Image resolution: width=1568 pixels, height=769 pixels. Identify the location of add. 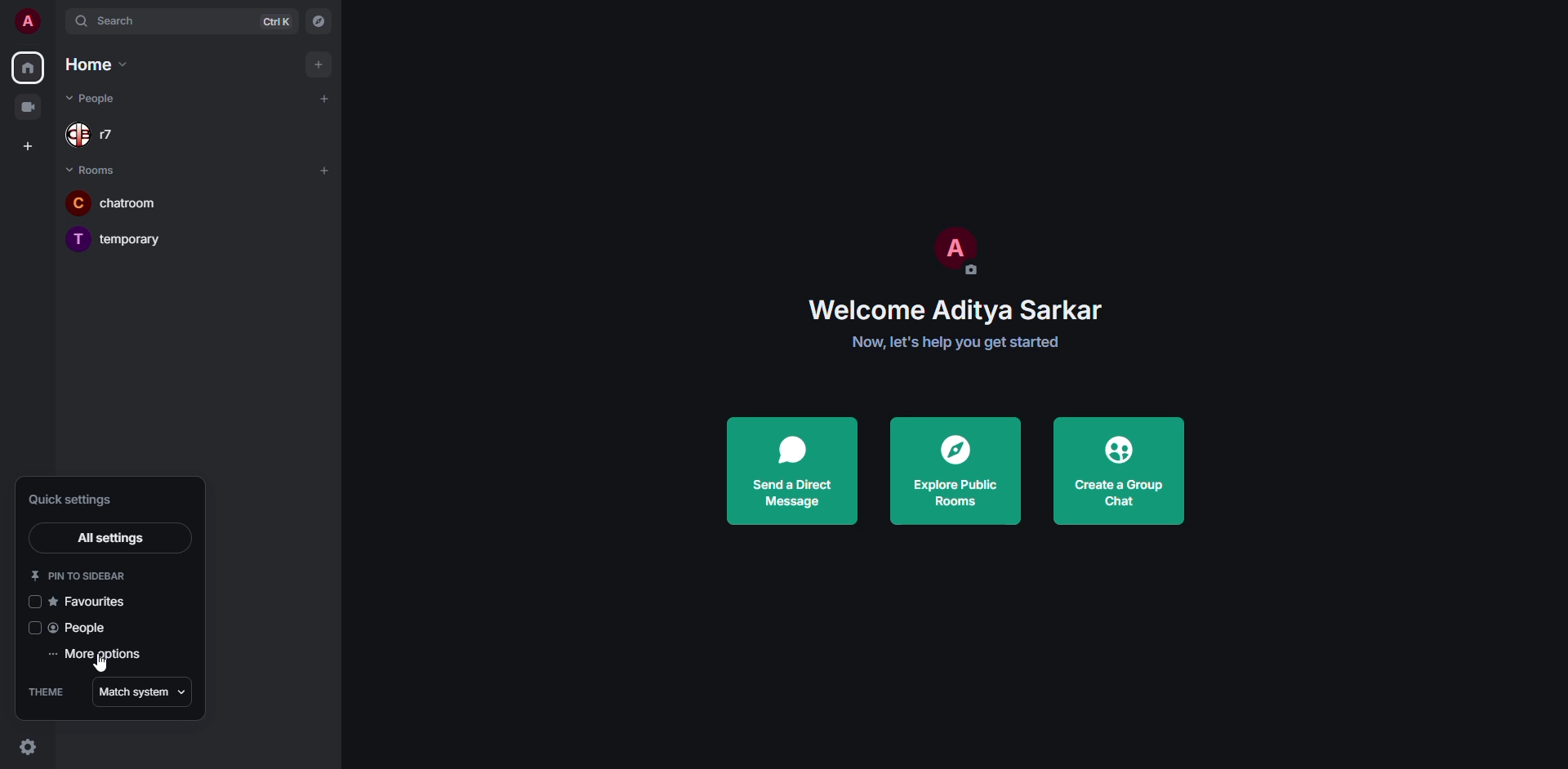
(323, 169).